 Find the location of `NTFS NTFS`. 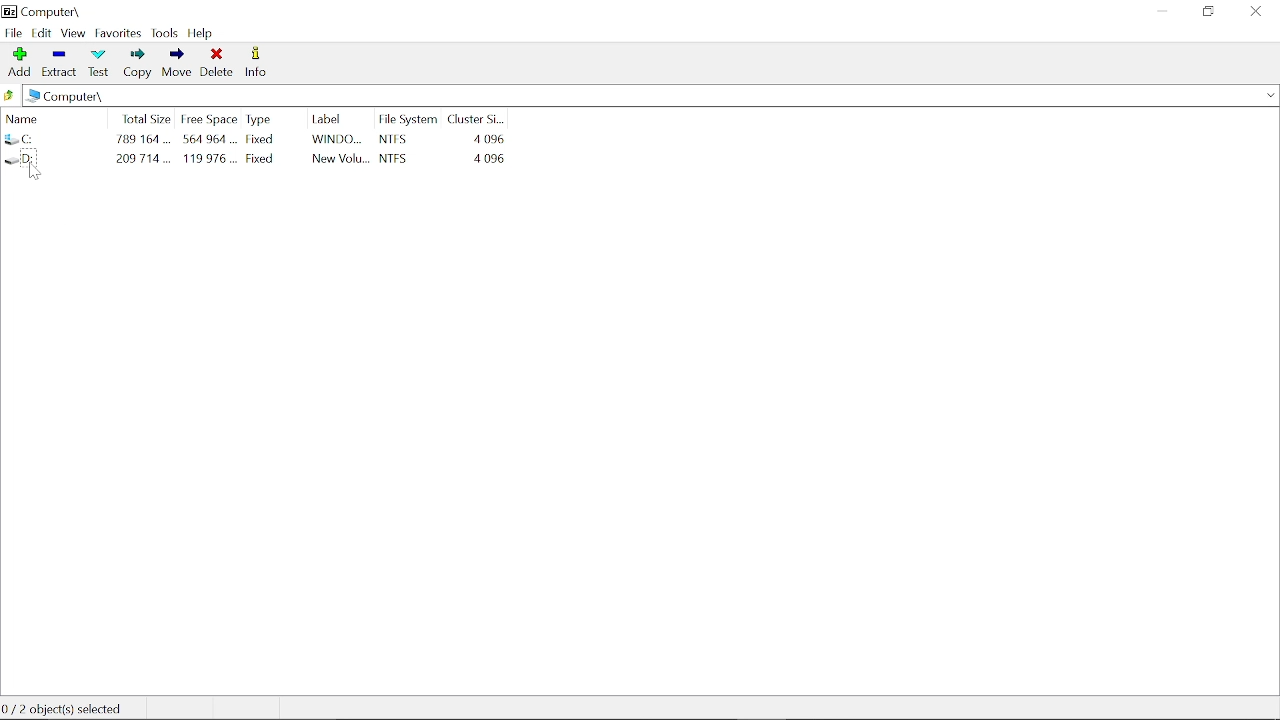

NTFS NTFS is located at coordinates (409, 148).